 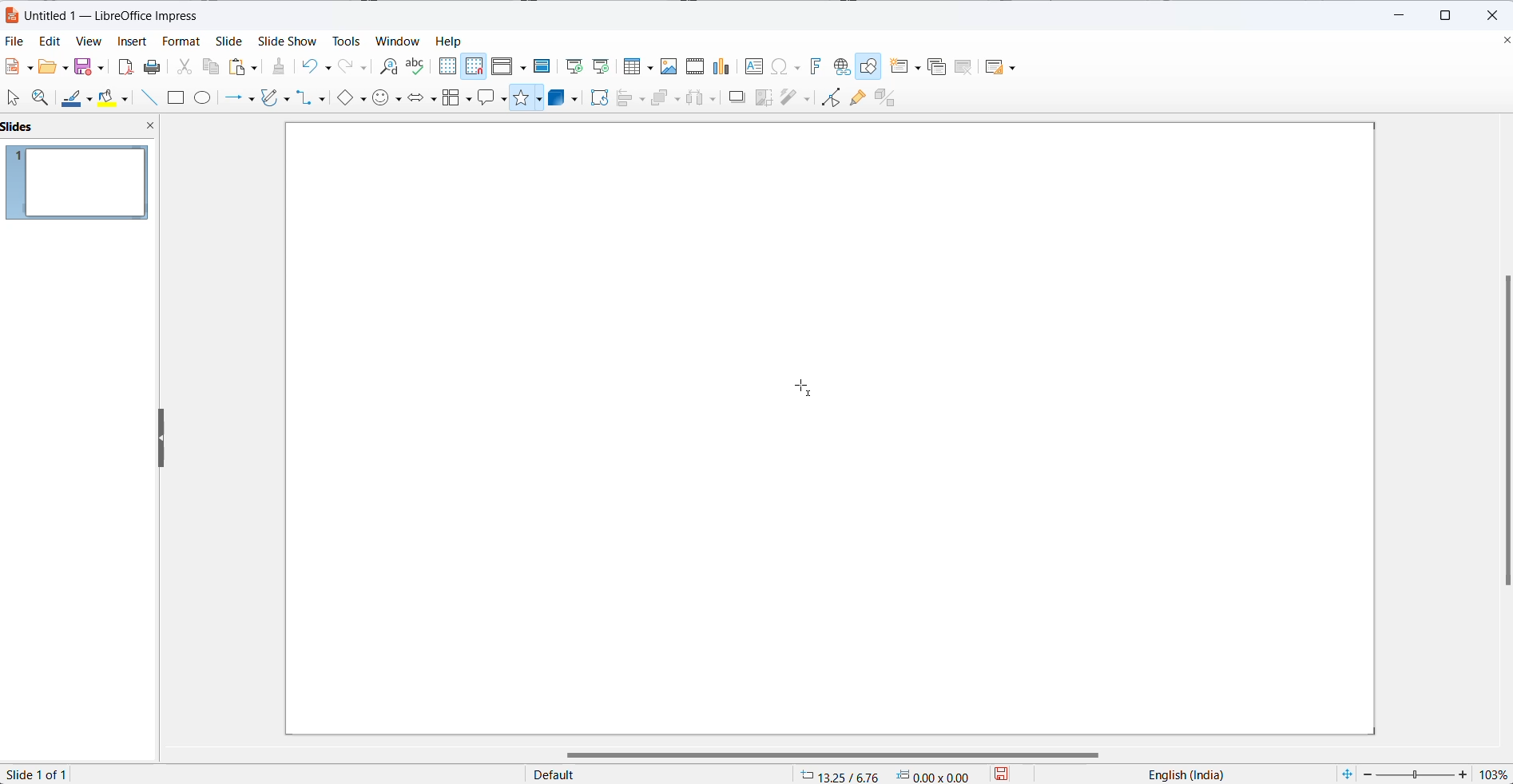 I want to click on callout shapes, so click(x=493, y=101).